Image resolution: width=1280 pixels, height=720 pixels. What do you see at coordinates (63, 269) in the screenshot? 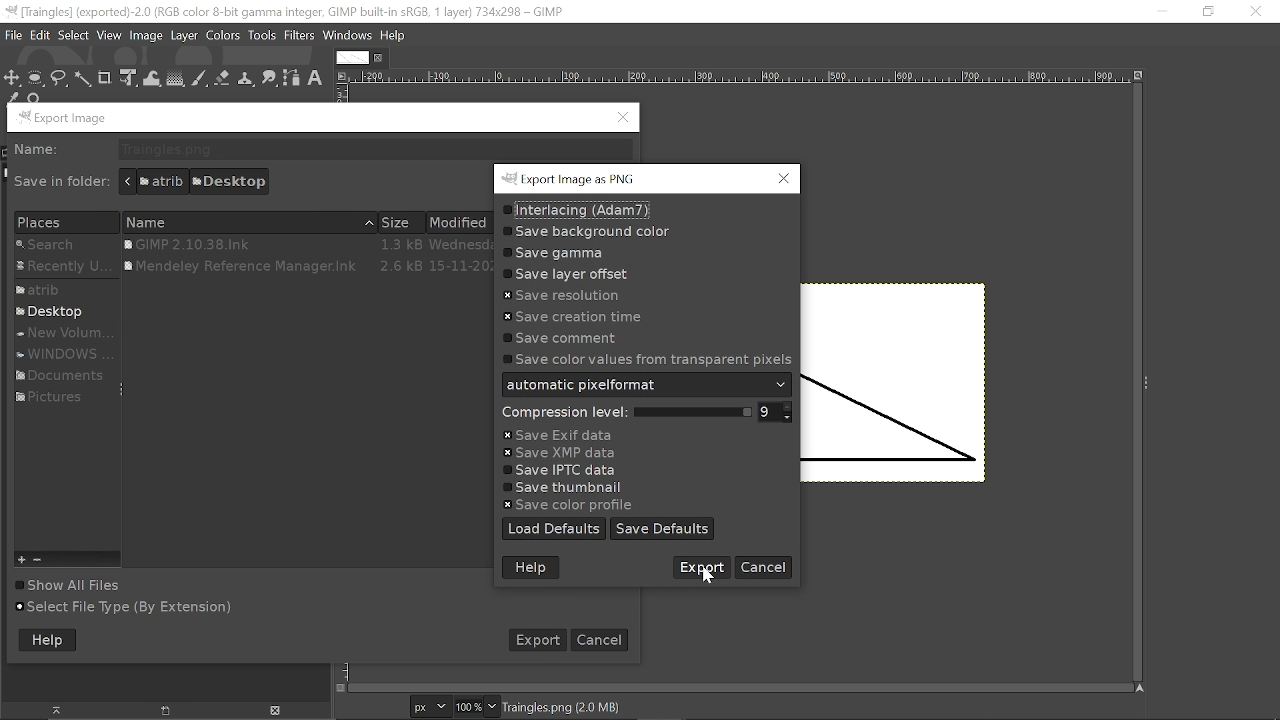
I see `Folders` at bounding box center [63, 269].